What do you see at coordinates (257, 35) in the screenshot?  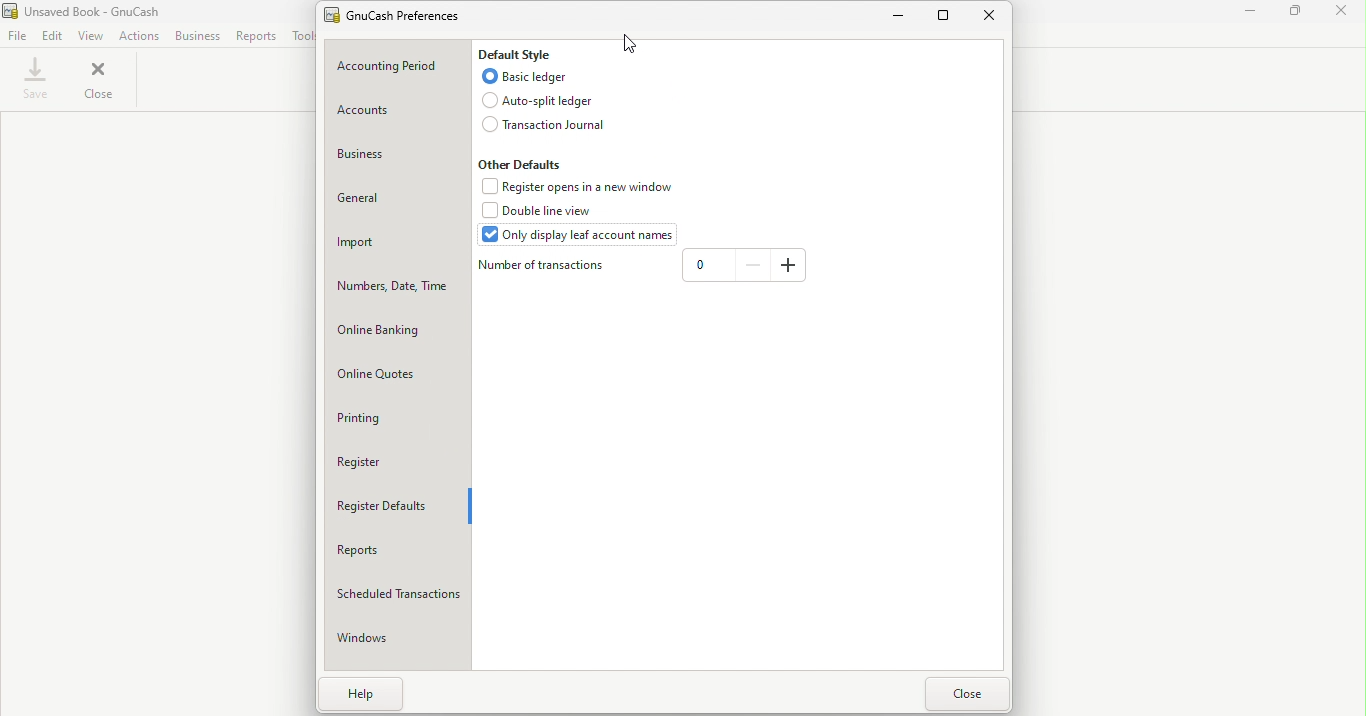 I see `Reports` at bounding box center [257, 35].